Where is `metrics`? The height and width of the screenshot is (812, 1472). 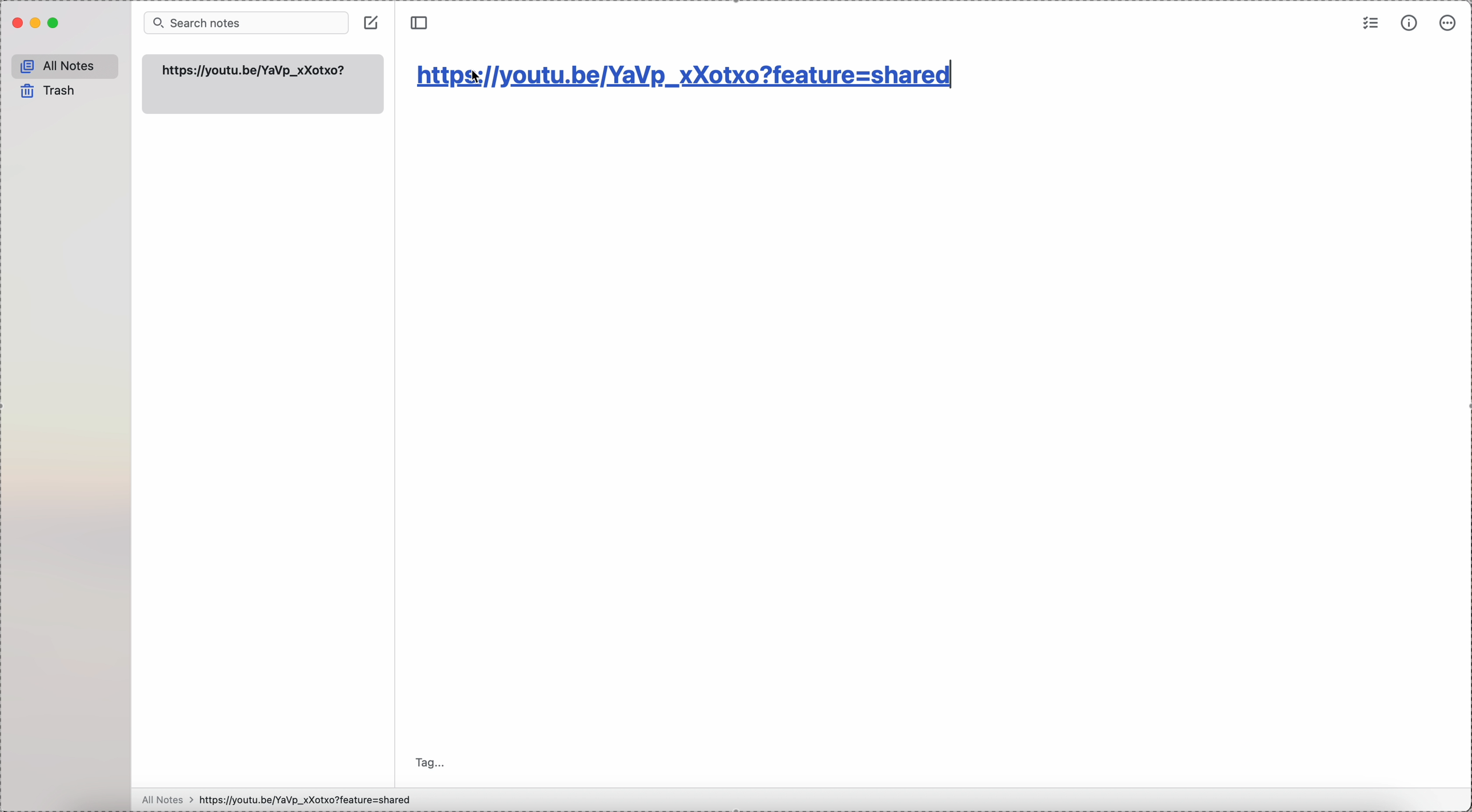 metrics is located at coordinates (1411, 23).